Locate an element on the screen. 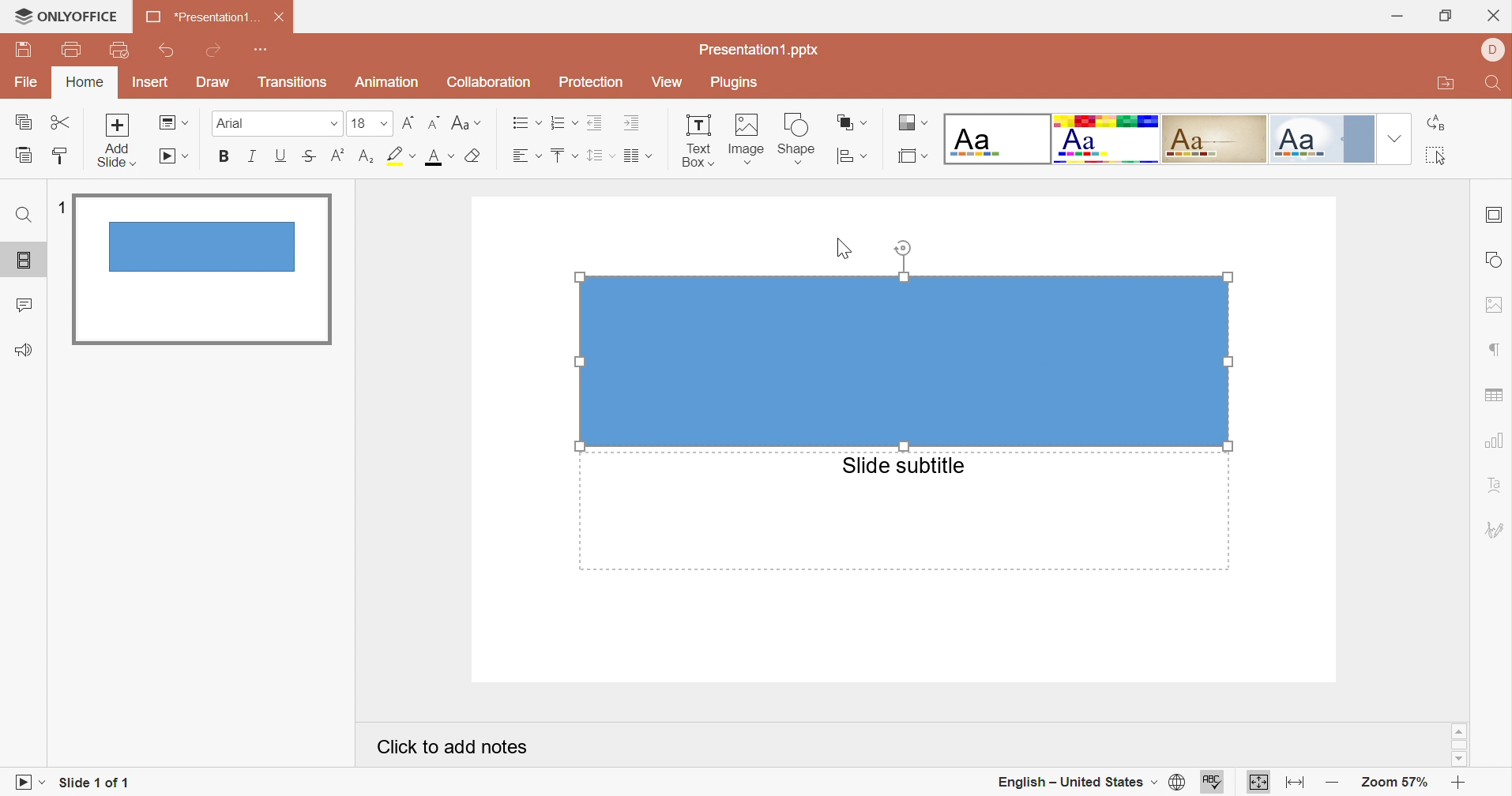 This screenshot has height=796, width=1512. Open file location is located at coordinates (1446, 84).